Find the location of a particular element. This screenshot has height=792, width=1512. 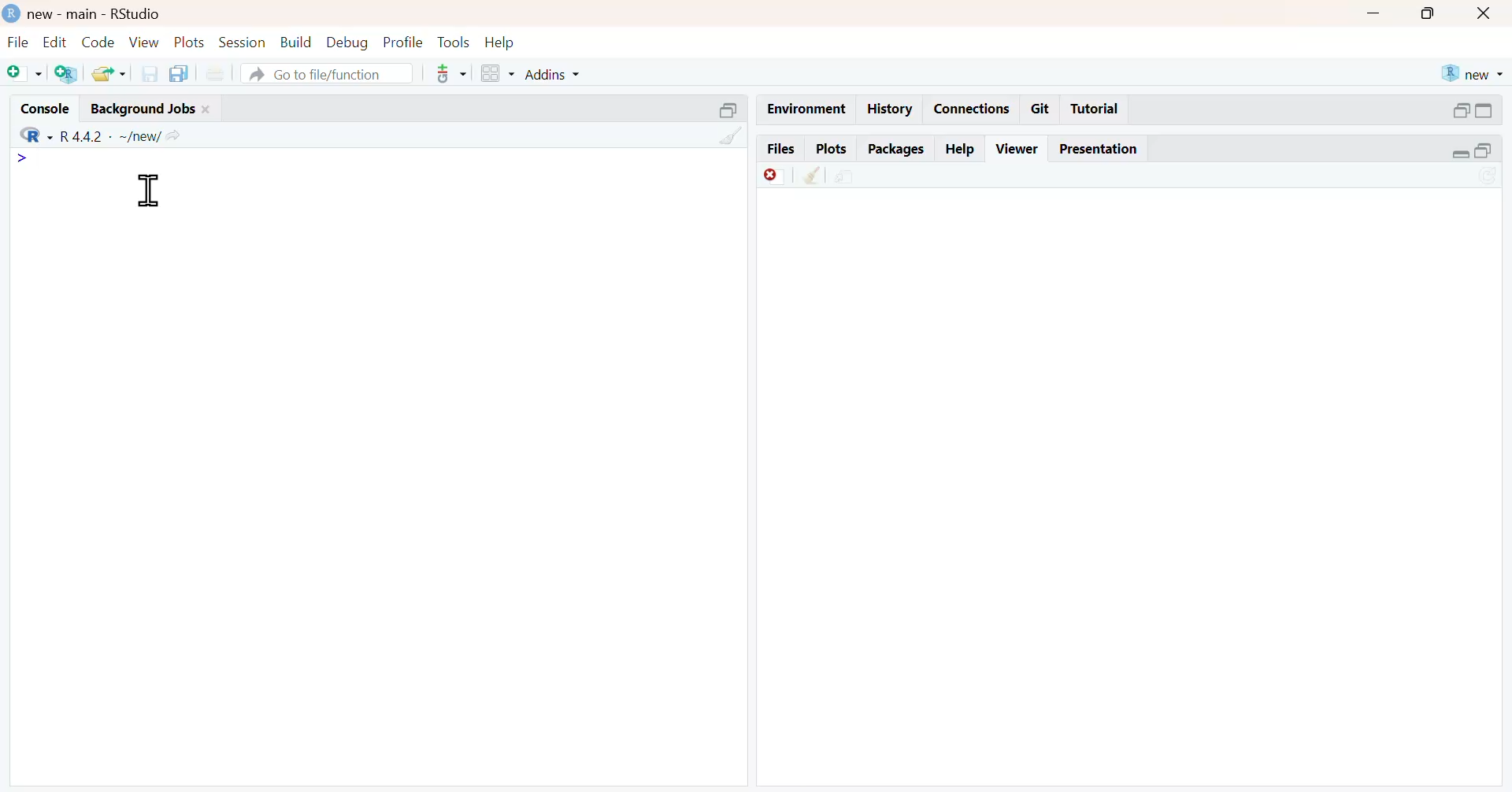

code is located at coordinates (96, 43).